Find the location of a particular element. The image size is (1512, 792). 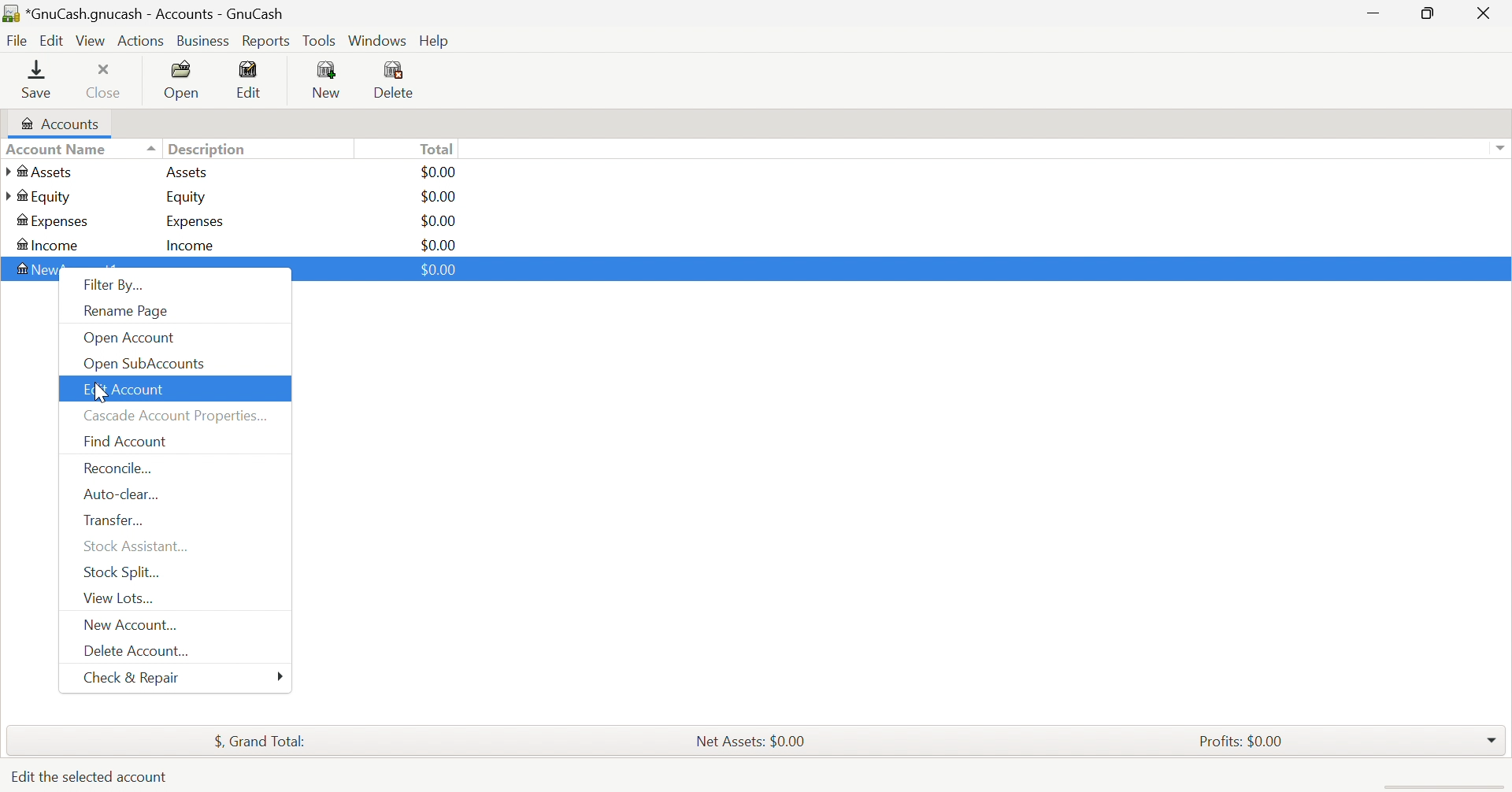

cursor is located at coordinates (103, 391).